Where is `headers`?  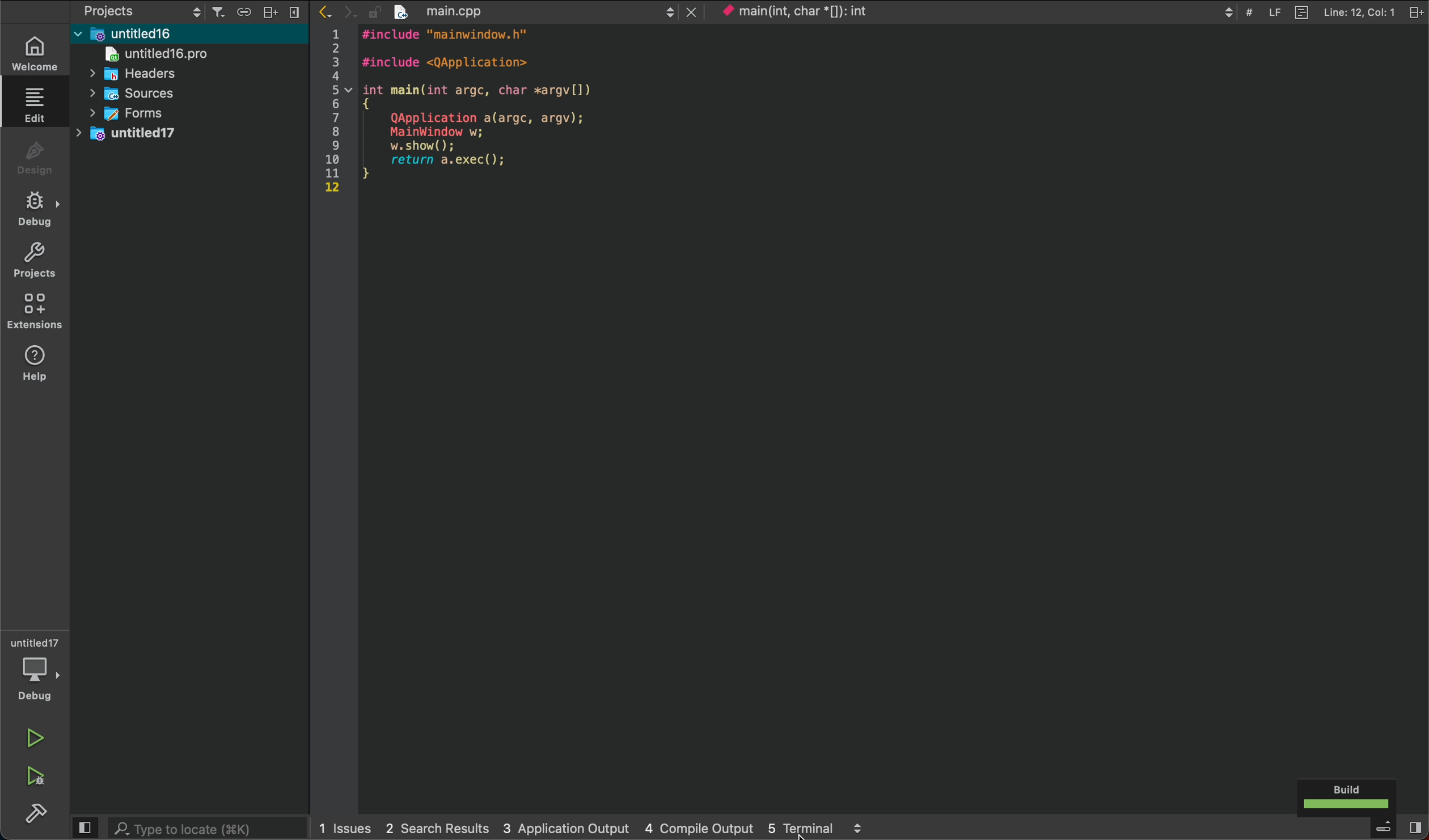
headers is located at coordinates (143, 74).